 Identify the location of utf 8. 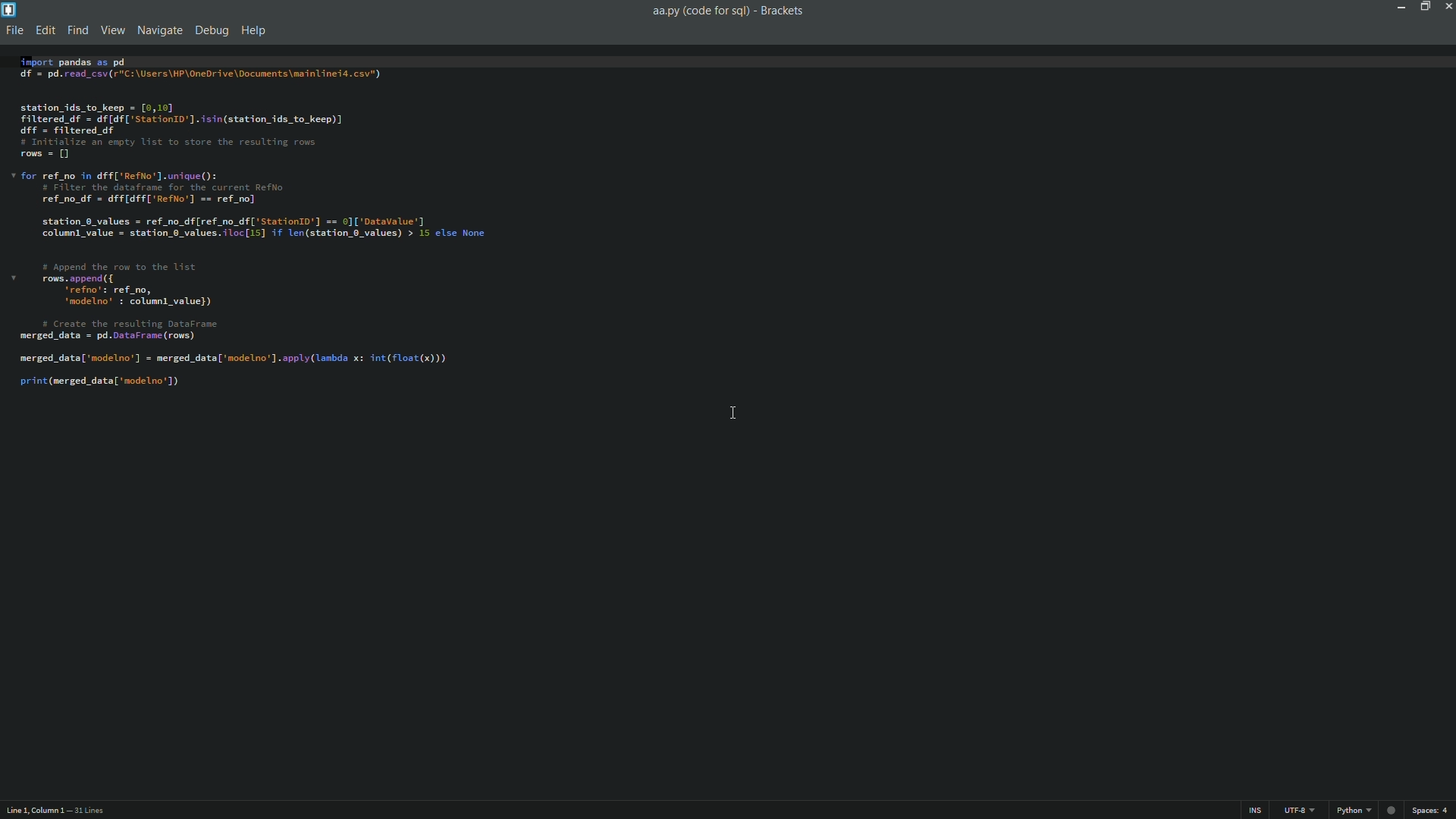
(1301, 811).